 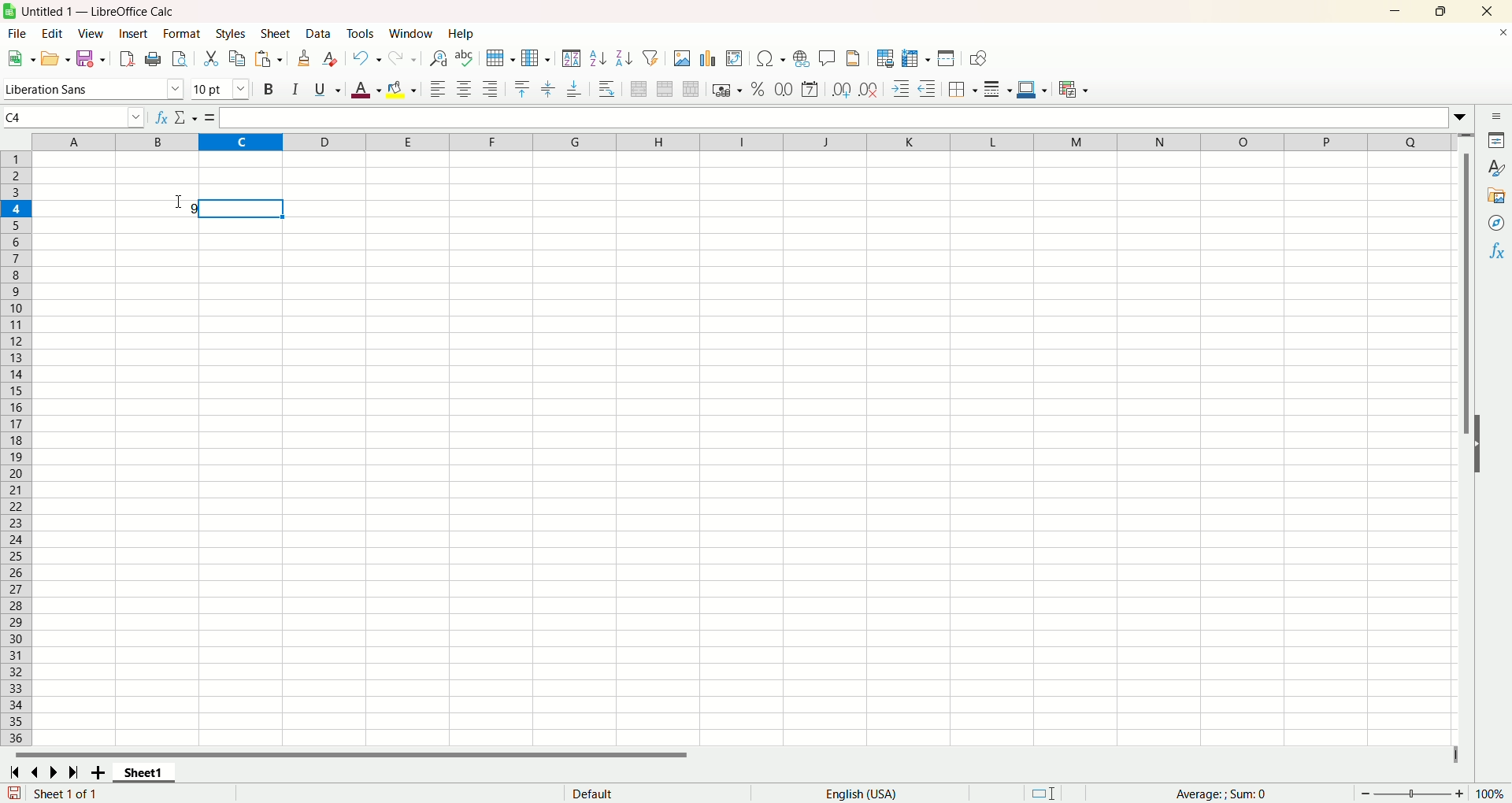 I want to click on Accept, so click(x=203, y=118).